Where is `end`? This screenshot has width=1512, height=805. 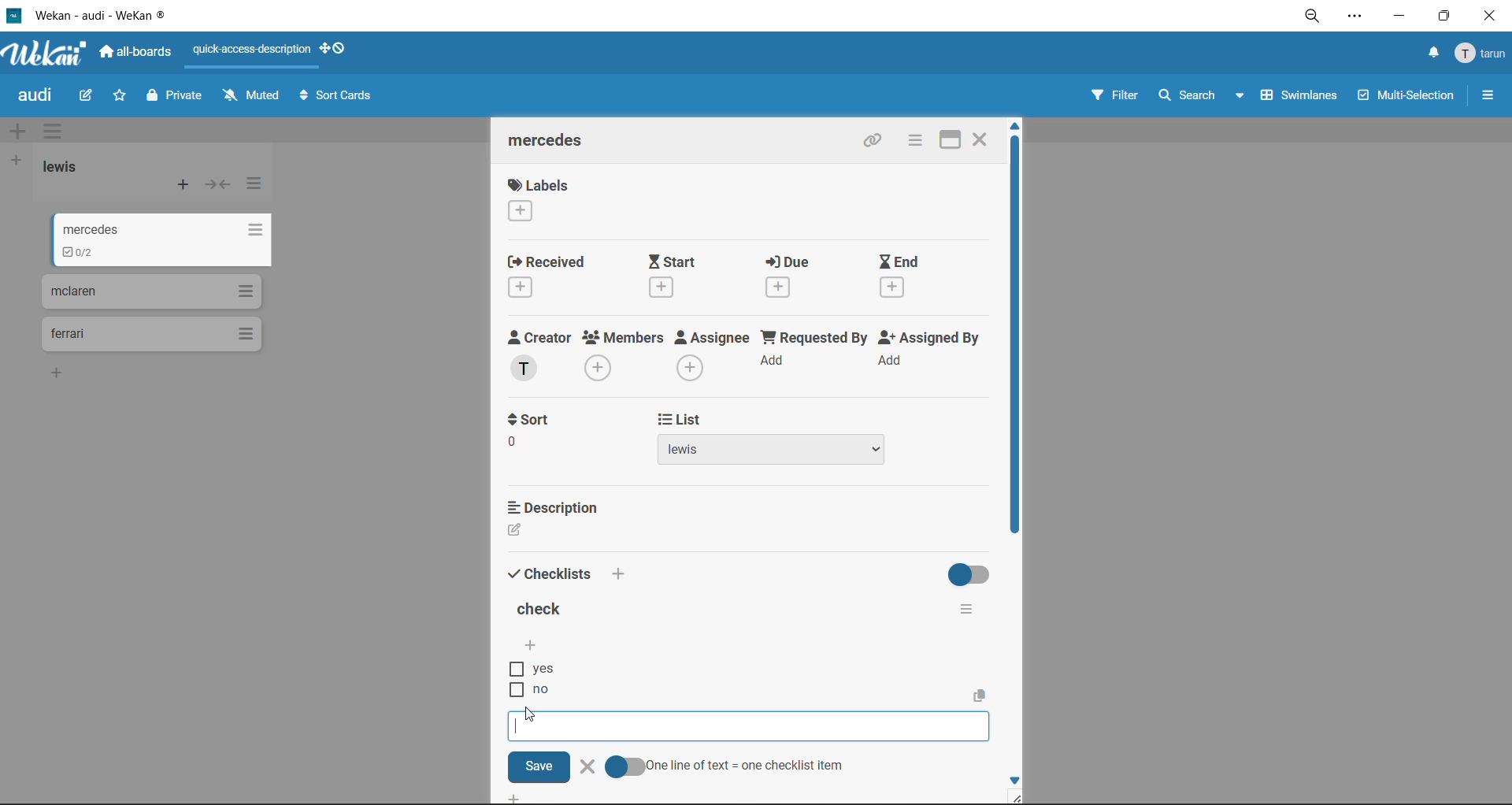
end is located at coordinates (906, 261).